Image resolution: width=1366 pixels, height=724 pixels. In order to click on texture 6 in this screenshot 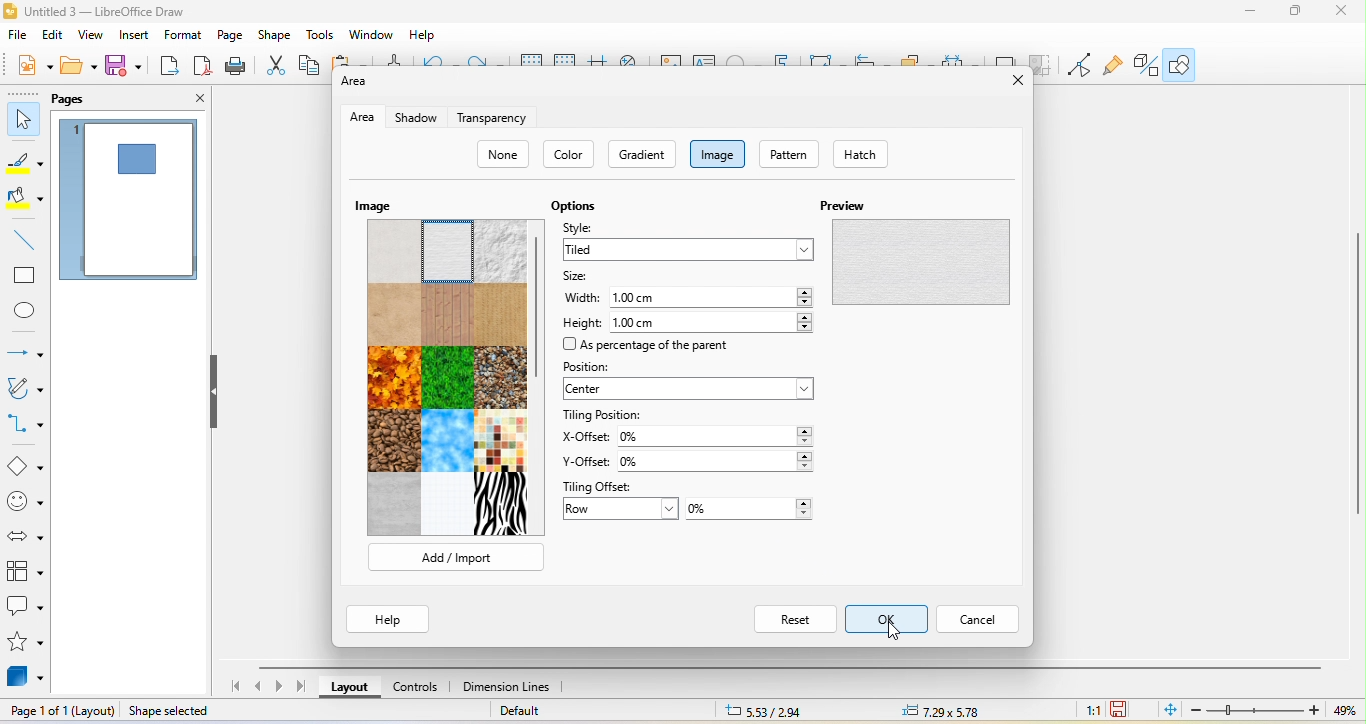, I will do `click(501, 313)`.